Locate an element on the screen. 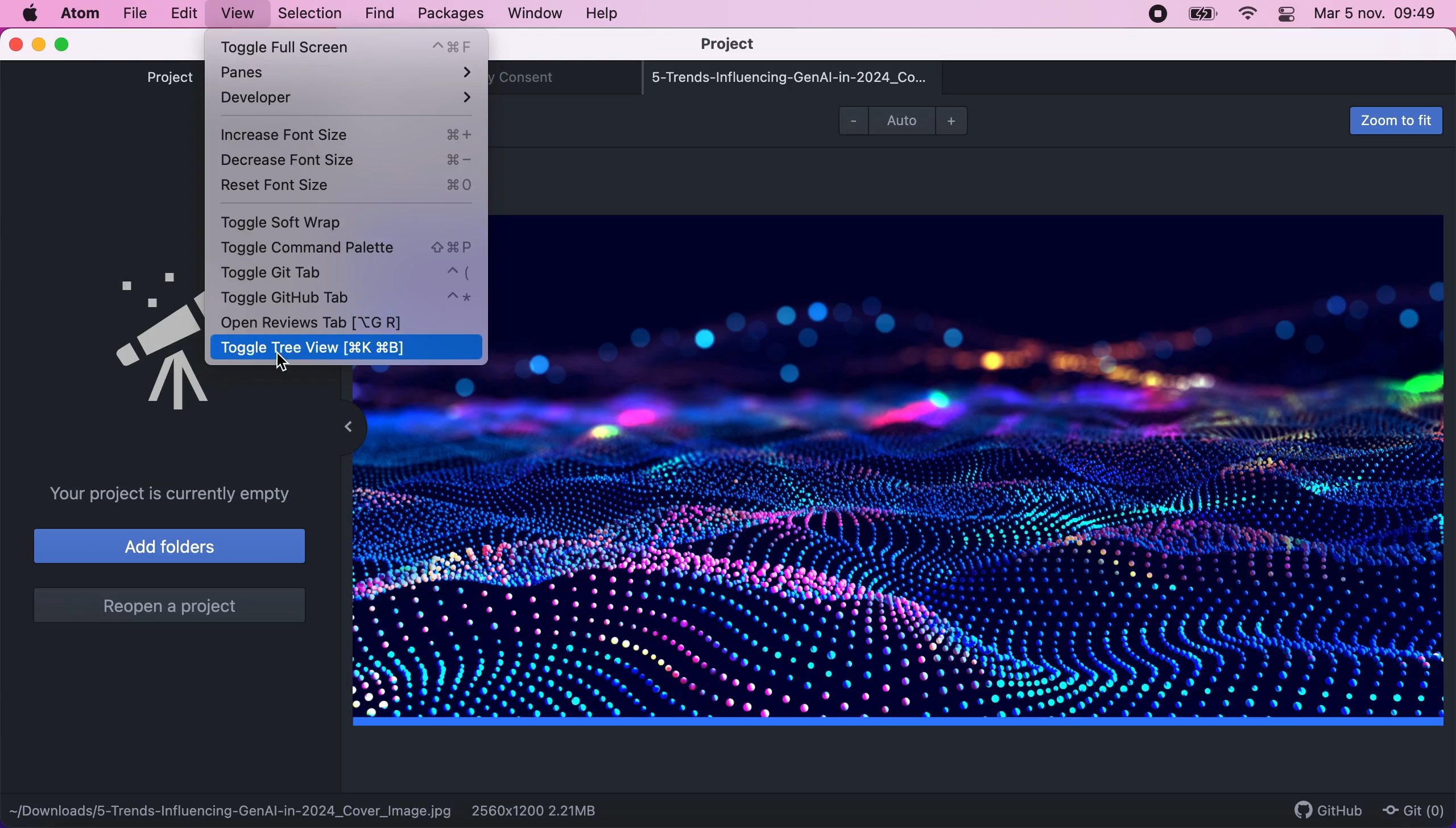 Image resolution: width=1456 pixels, height=828 pixels. -downloads/5-trends-influencing-genai-in-2024_cover_image.jpg is located at coordinates (238, 807).